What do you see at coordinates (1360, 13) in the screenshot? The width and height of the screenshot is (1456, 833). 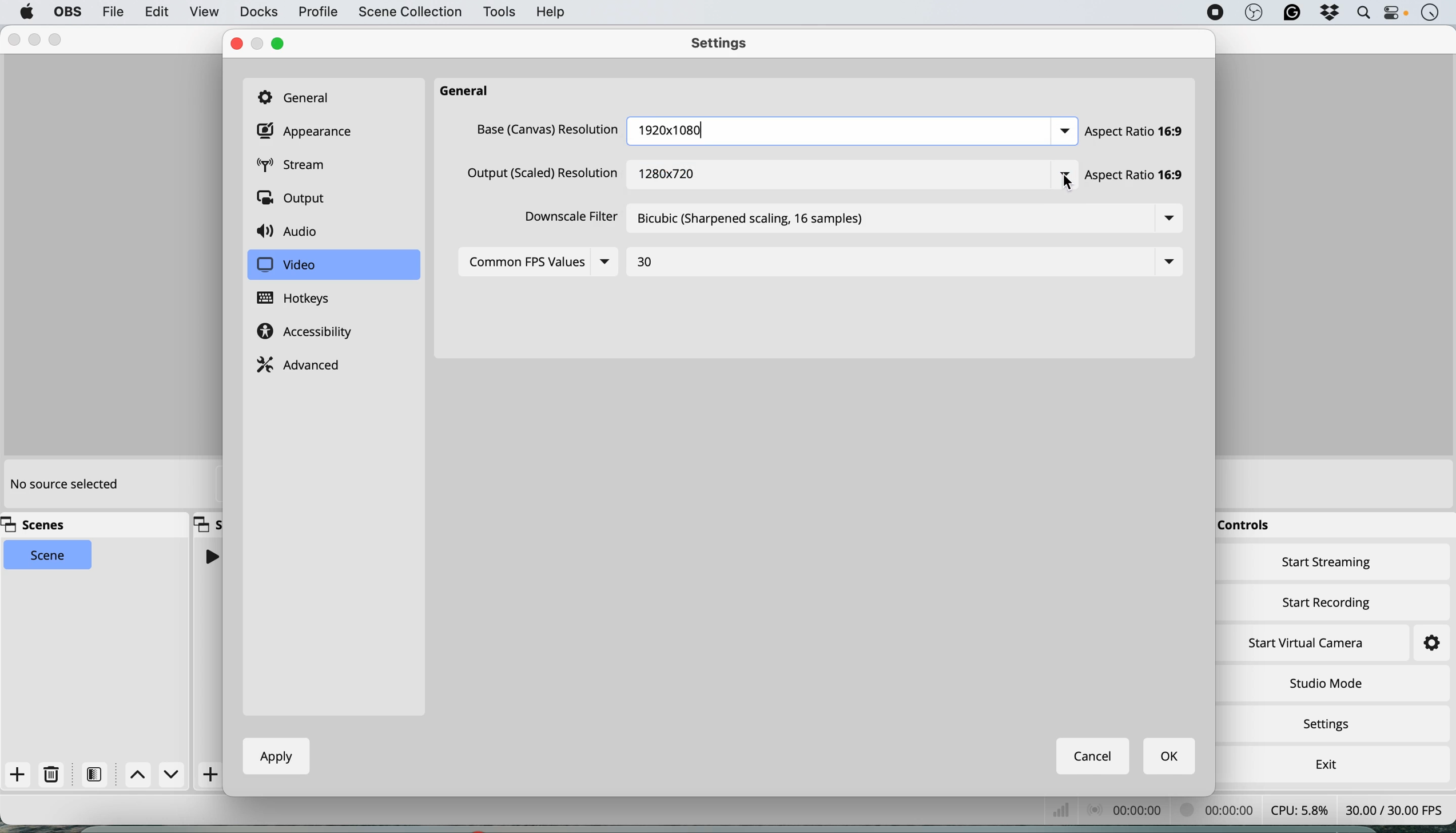 I see `spotlight search` at bounding box center [1360, 13].